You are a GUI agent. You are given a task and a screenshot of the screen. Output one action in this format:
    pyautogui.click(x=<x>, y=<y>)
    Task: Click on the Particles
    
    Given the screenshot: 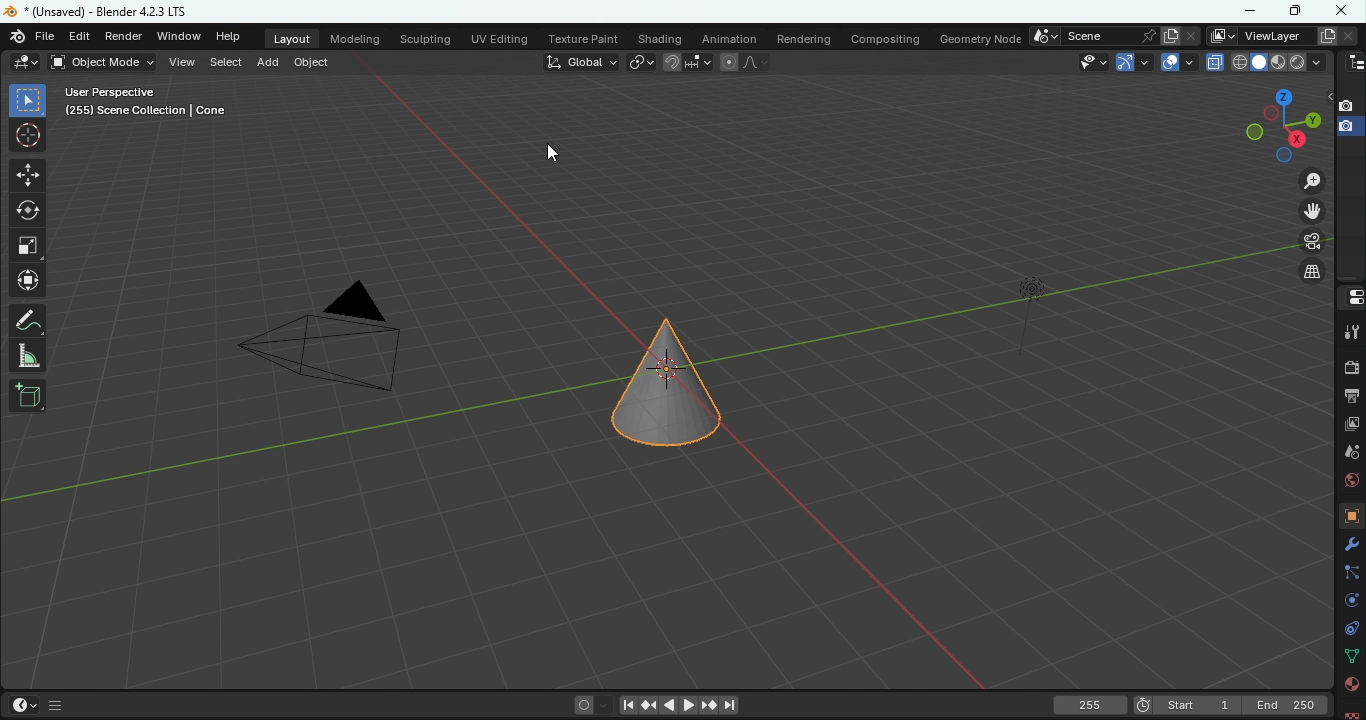 What is the action you would take?
    pyautogui.click(x=1352, y=572)
    